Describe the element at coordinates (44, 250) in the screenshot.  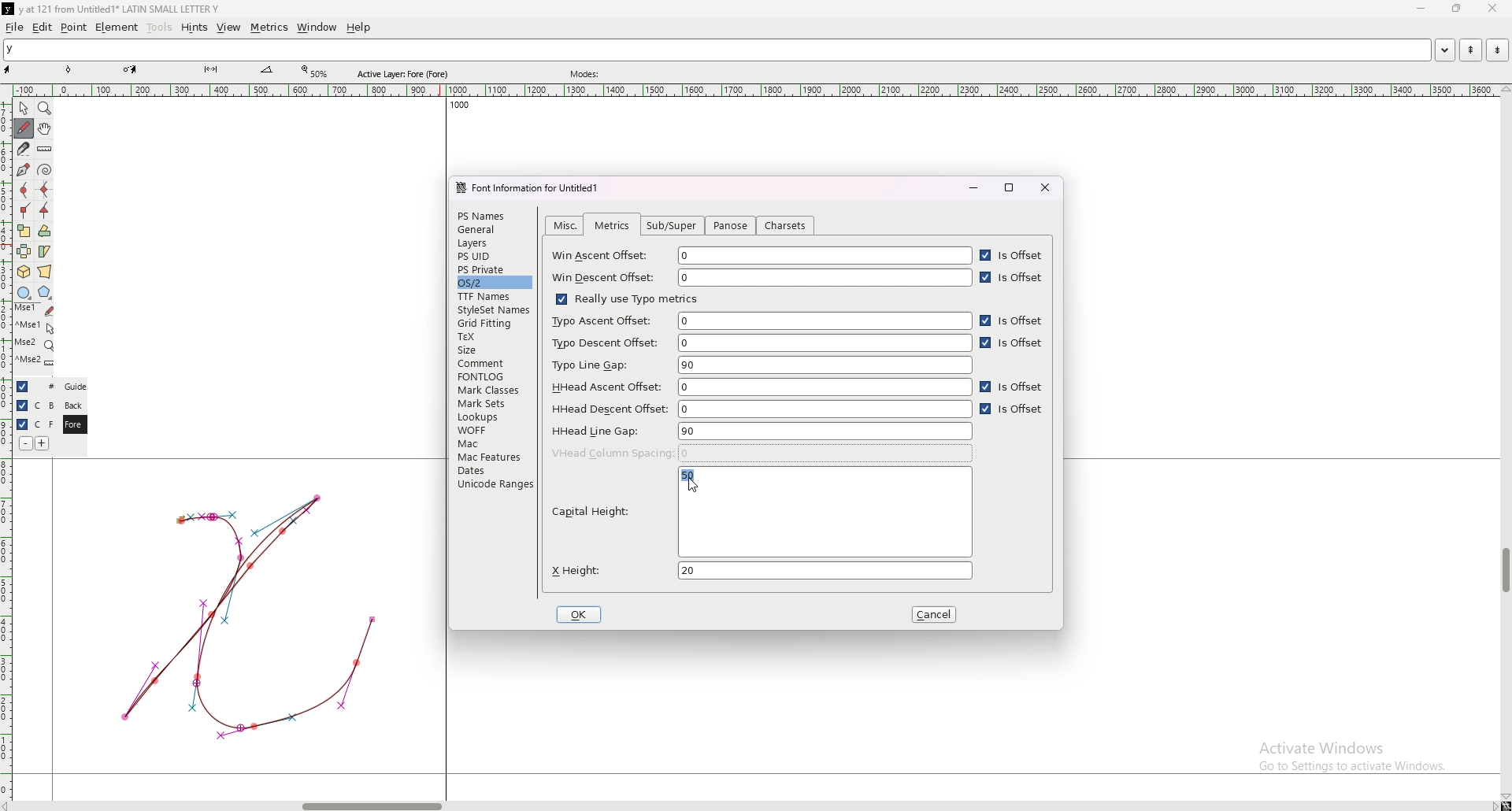
I see `skew the selection` at that location.